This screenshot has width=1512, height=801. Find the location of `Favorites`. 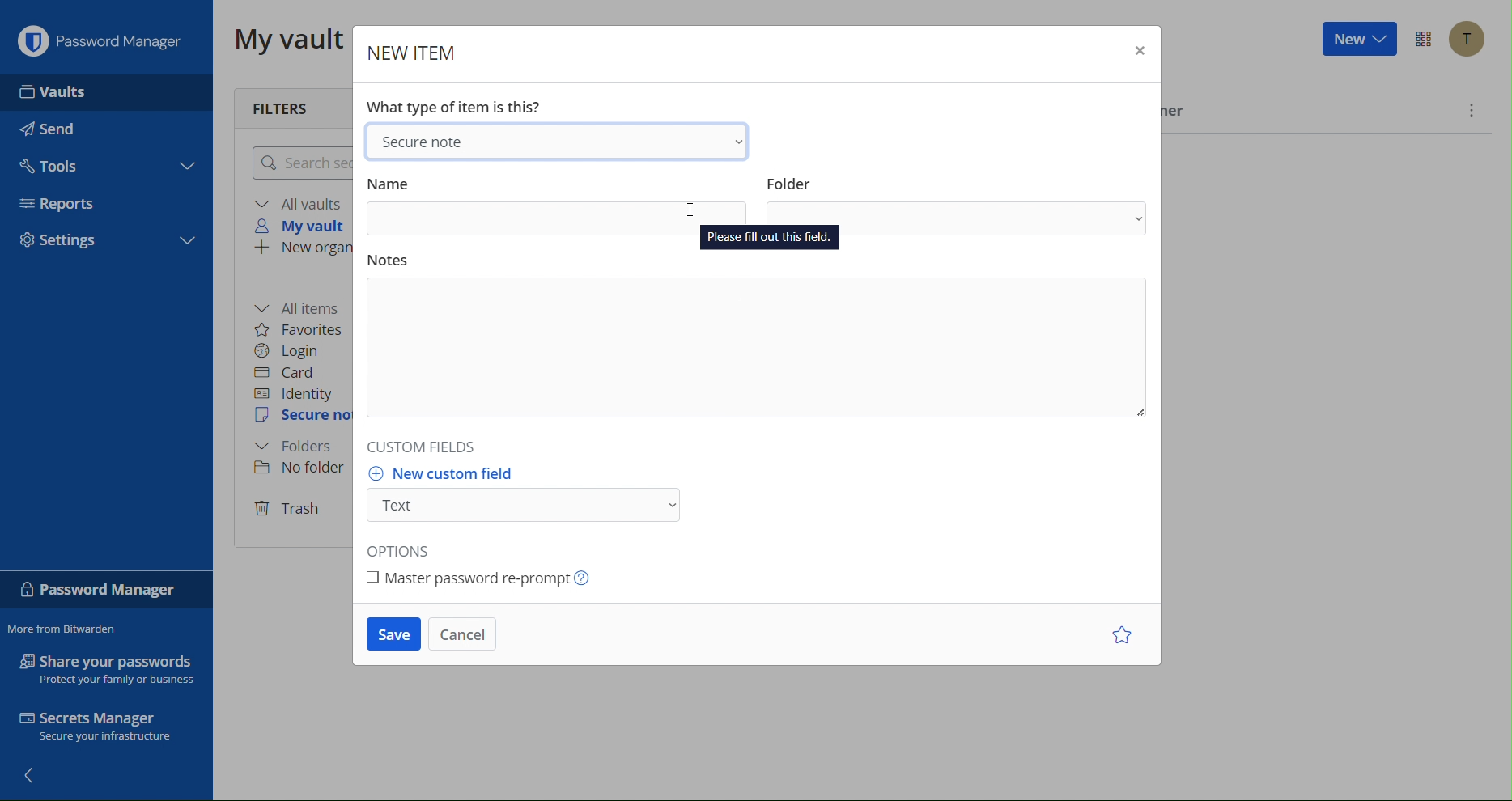

Favorites is located at coordinates (304, 328).